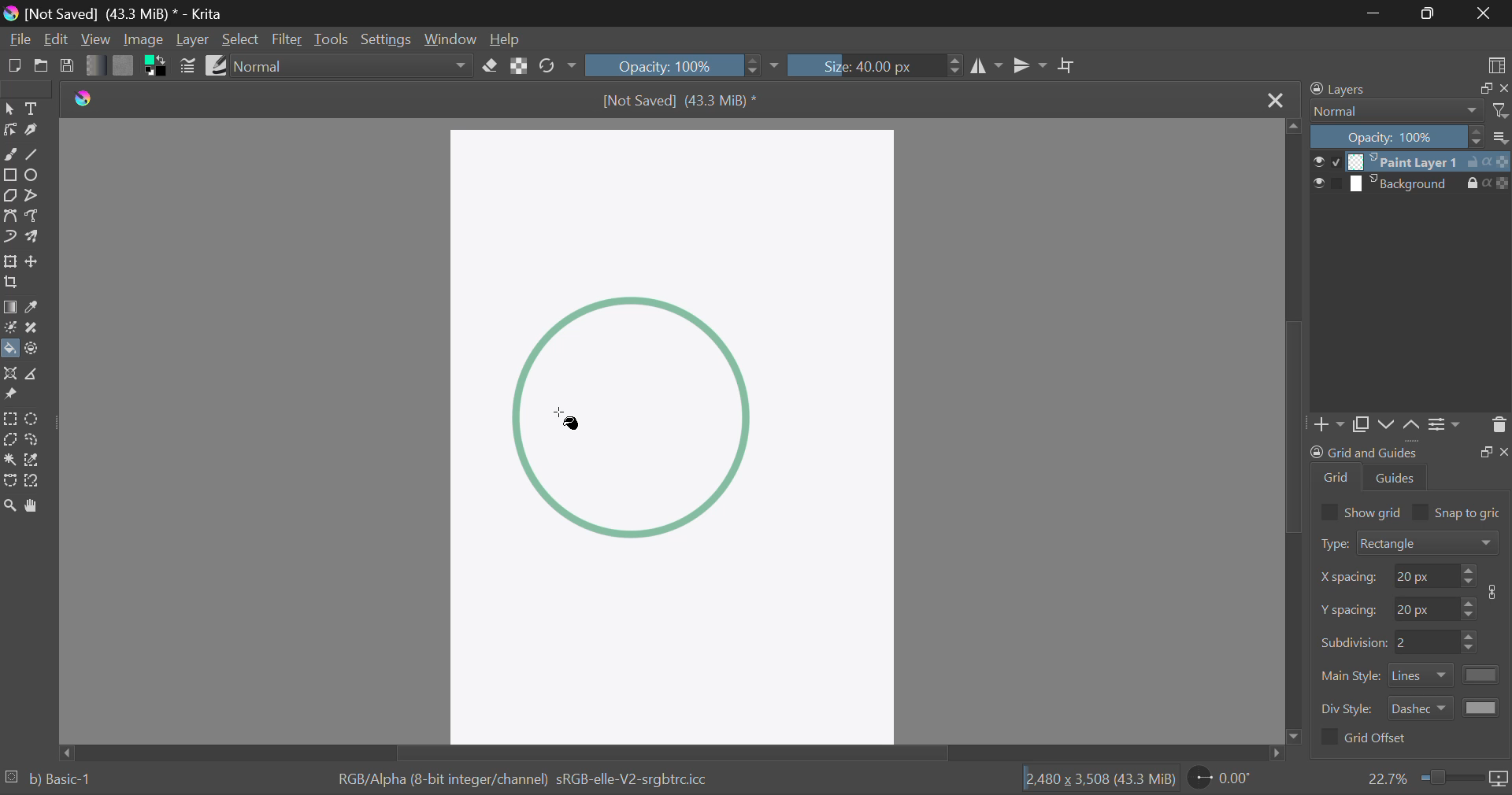  What do you see at coordinates (10, 374) in the screenshot?
I see `Assistant Tool` at bounding box center [10, 374].